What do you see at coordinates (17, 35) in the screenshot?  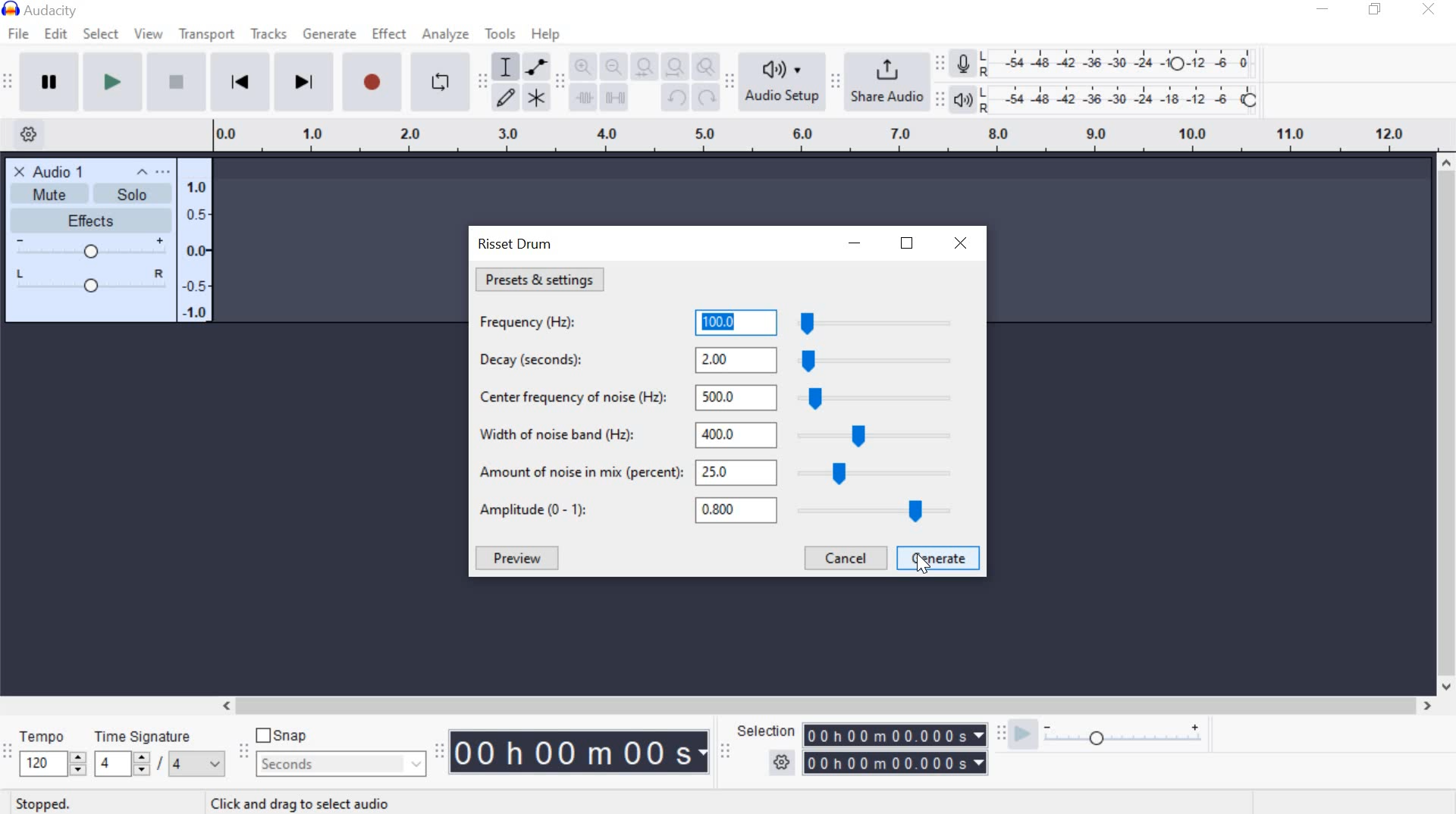 I see `file` at bounding box center [17, 35].